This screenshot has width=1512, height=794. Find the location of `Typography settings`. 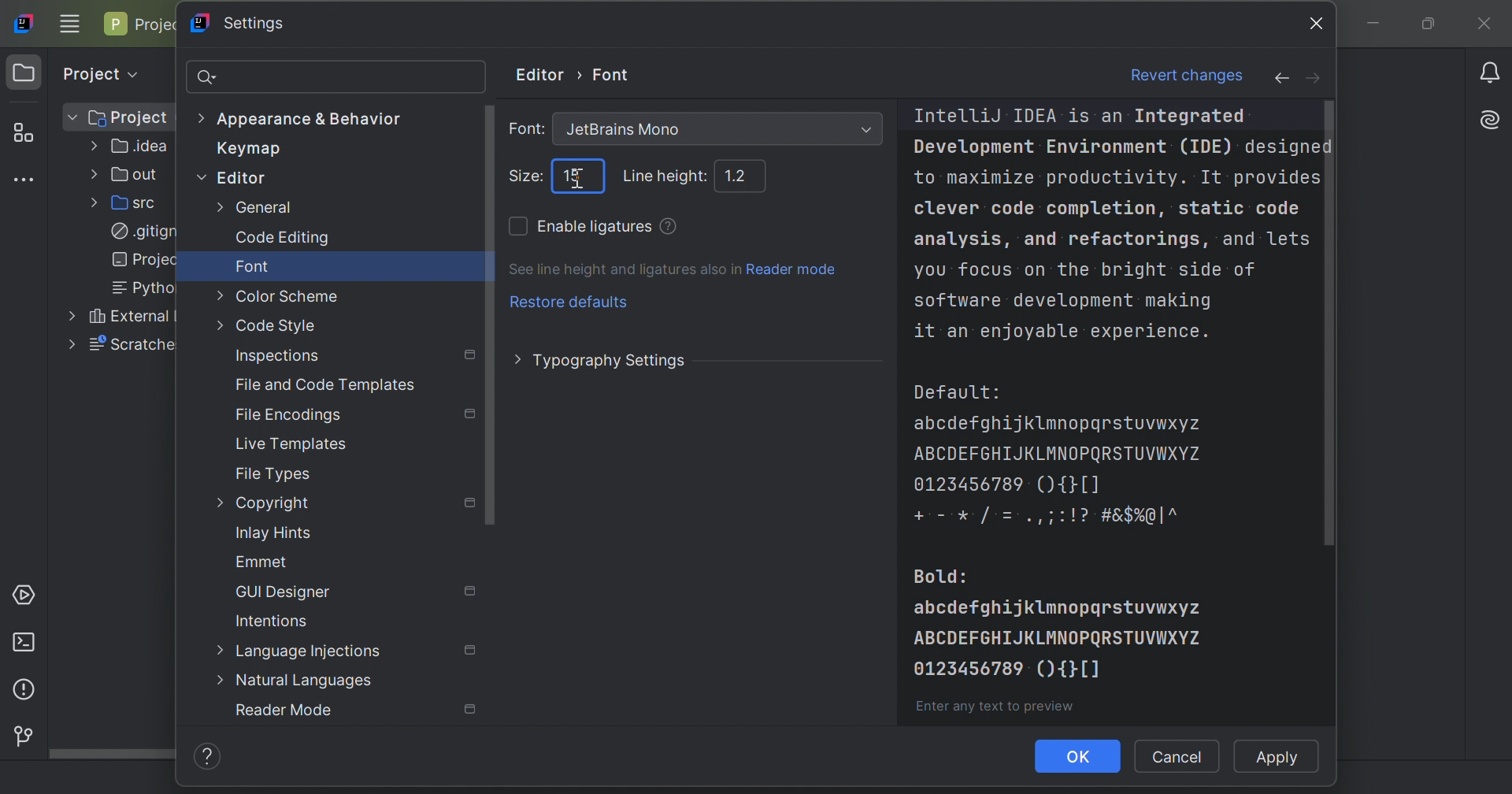

Typography settings is located at coordinates (606, 360).